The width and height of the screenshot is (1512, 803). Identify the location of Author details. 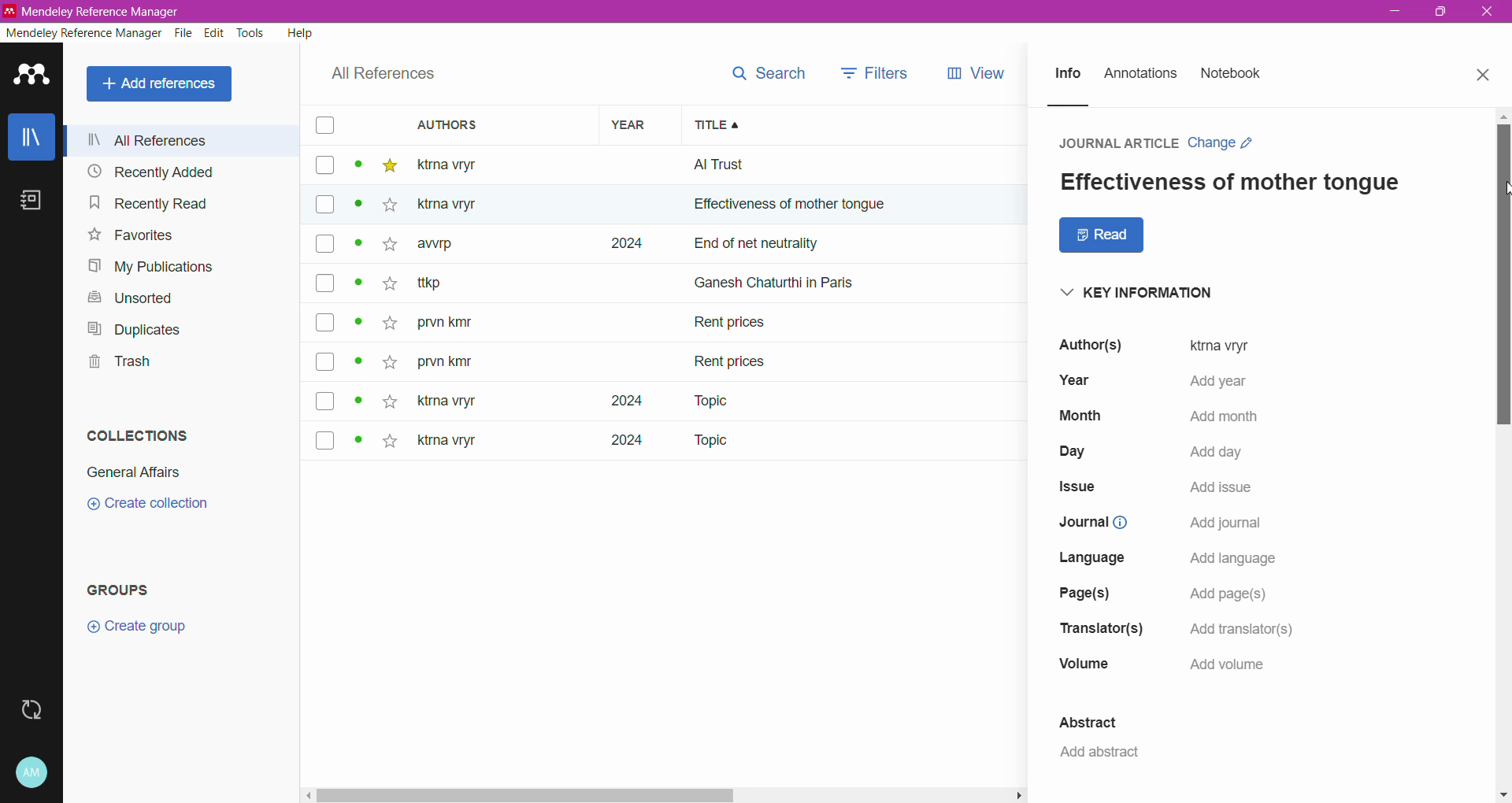
(1220, 345).